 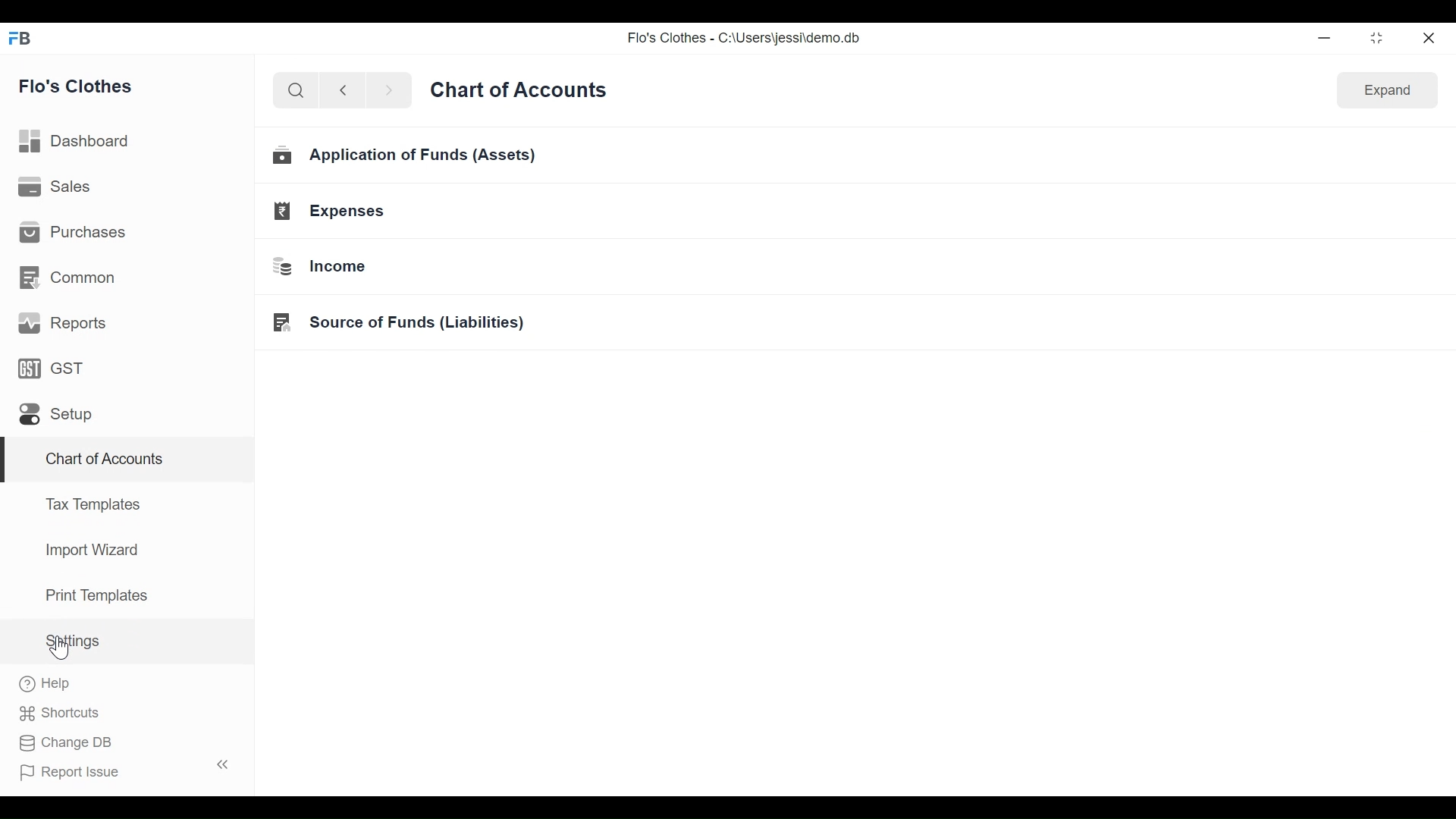 What do you see at coordinates (61, 648) in the screenshot?
I see `Cursor` at bounding box center [61, 648].